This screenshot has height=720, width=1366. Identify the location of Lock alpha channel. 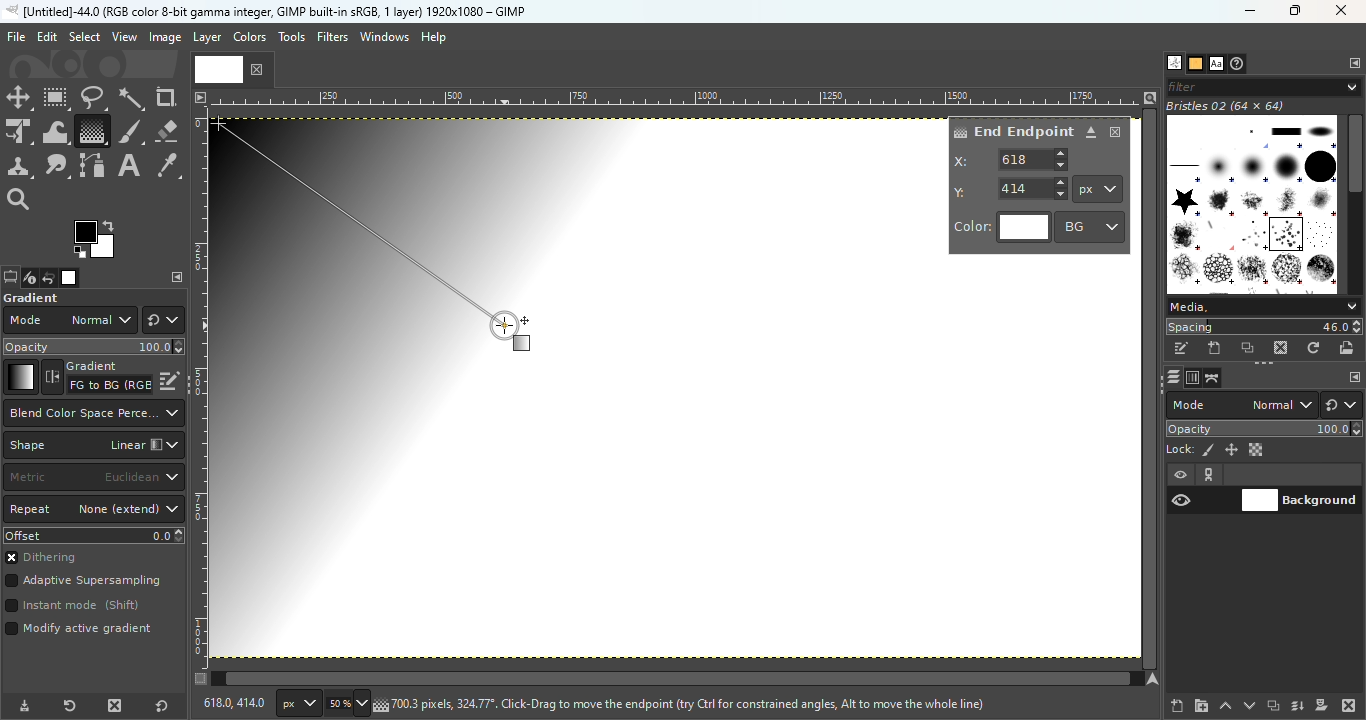
(1258, 450).